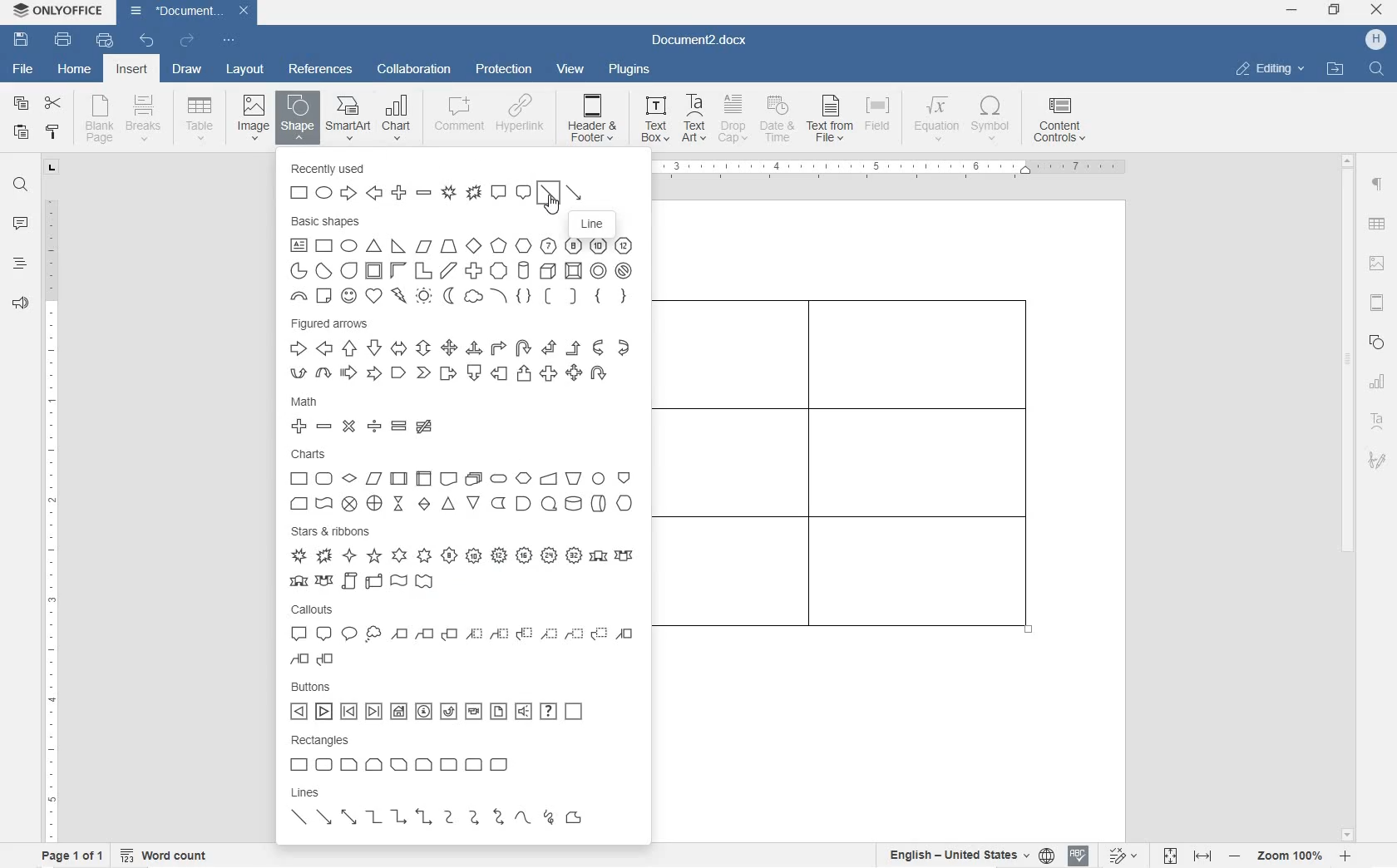  What do you see at coordinates (1377, 342) in the screenshot?
I see `shape` at bounding box center [1377, 342].